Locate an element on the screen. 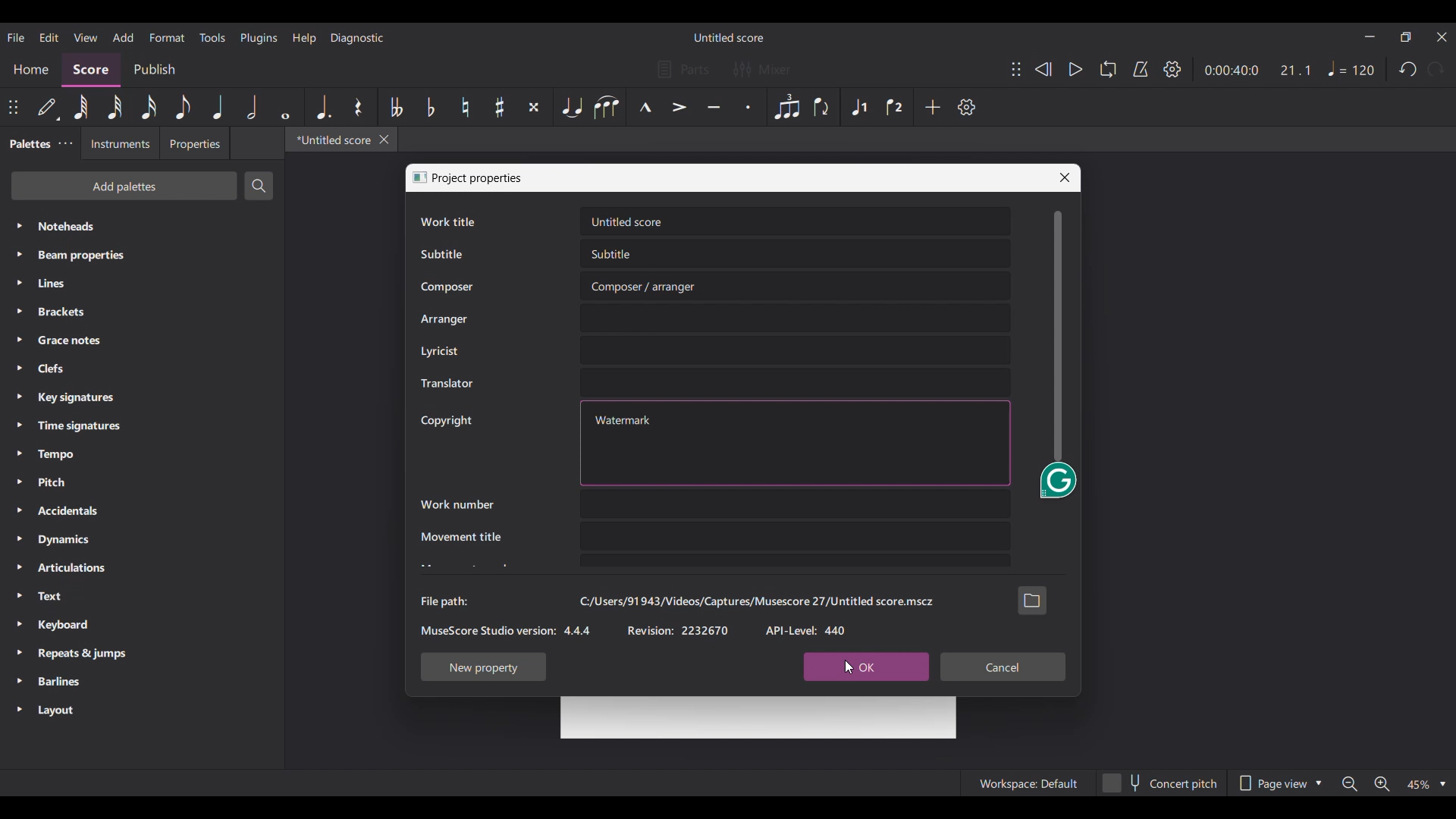  Repeats & jumps is located at coordinates (143, 654).